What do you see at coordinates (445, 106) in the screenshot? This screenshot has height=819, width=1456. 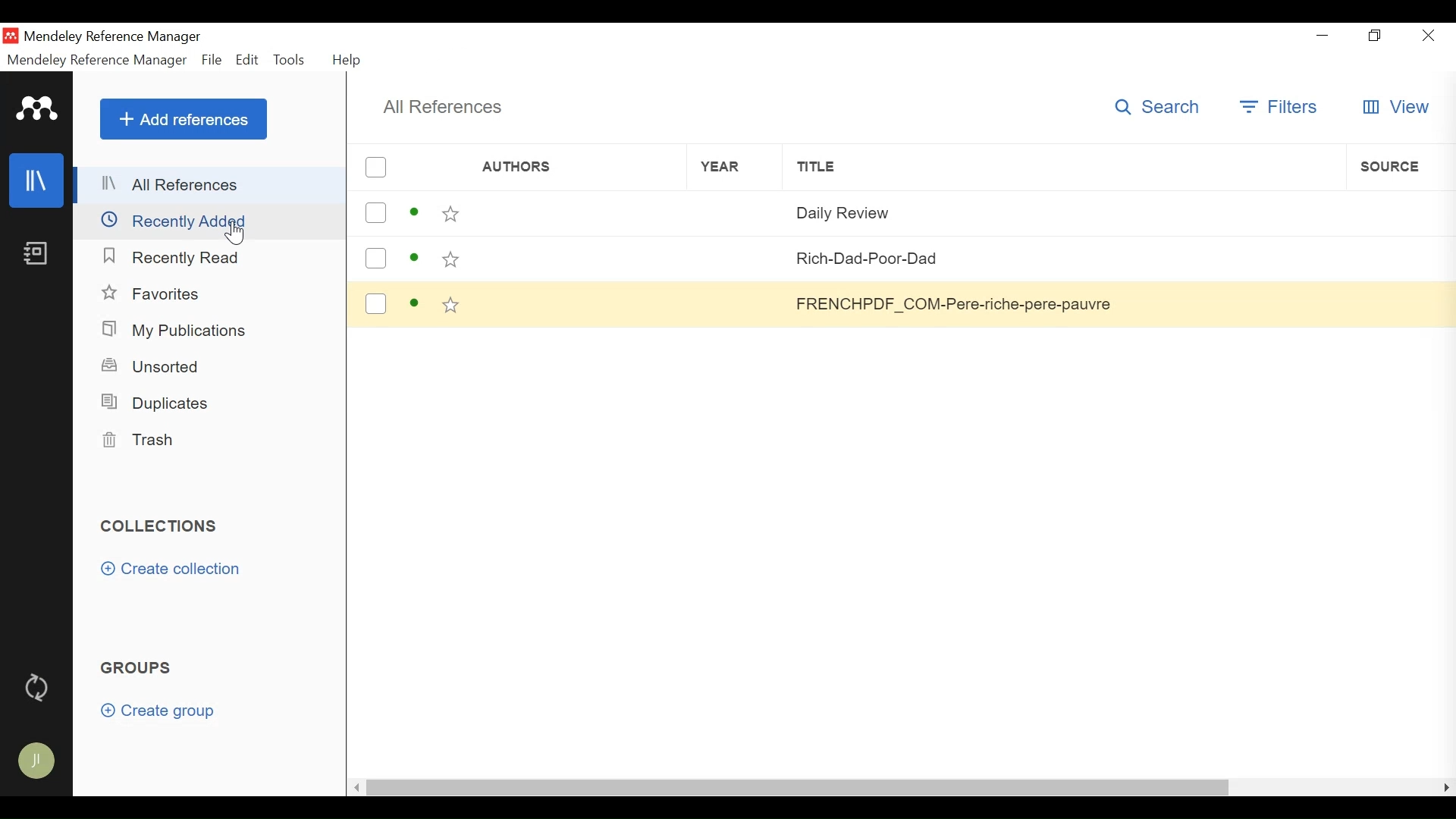 I see `All References` at bounding box center [445, 106].